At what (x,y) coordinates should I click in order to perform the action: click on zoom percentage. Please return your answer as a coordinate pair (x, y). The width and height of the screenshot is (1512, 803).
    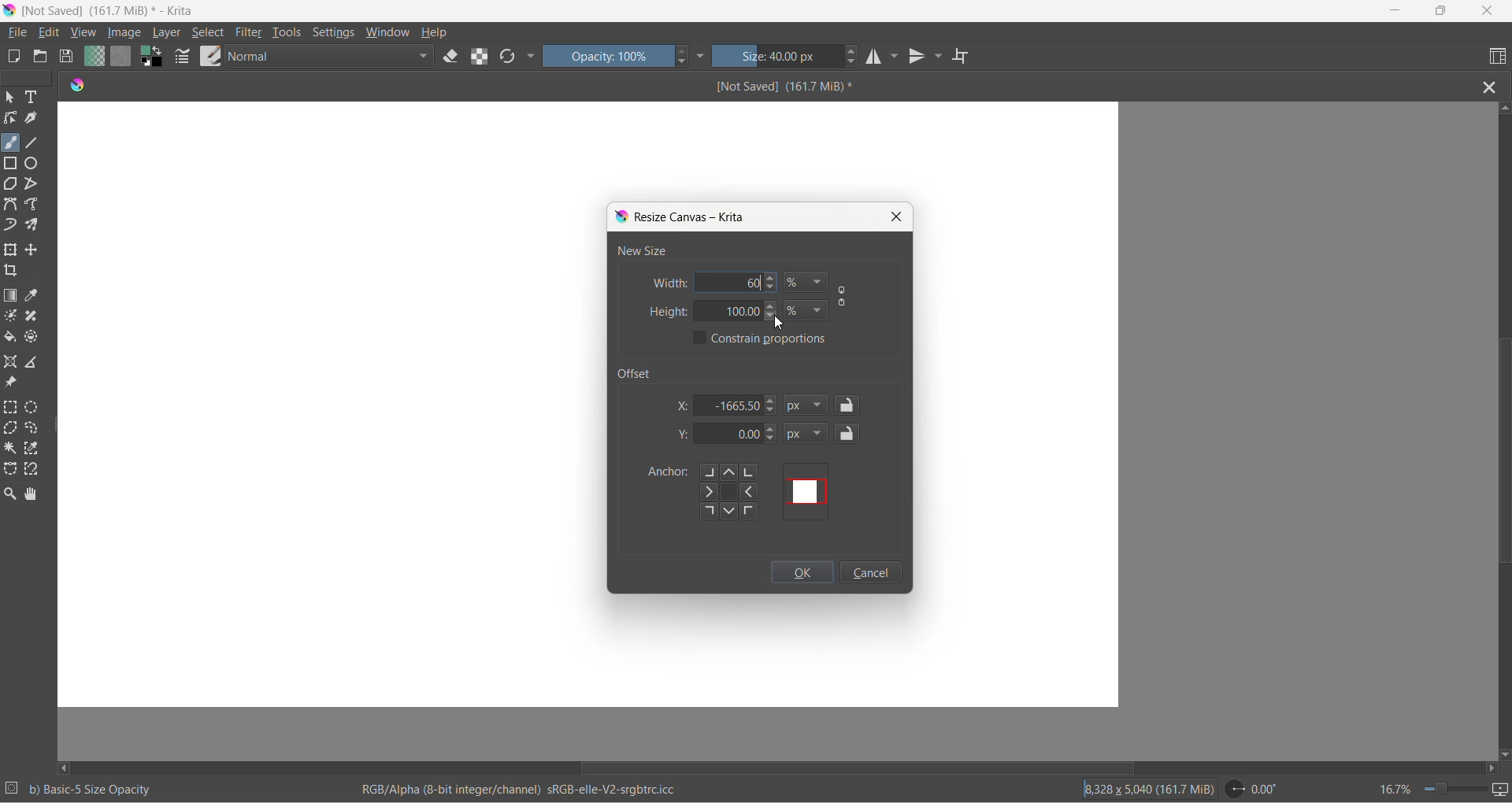
    Looking at the image, I should click on (1394, 787).